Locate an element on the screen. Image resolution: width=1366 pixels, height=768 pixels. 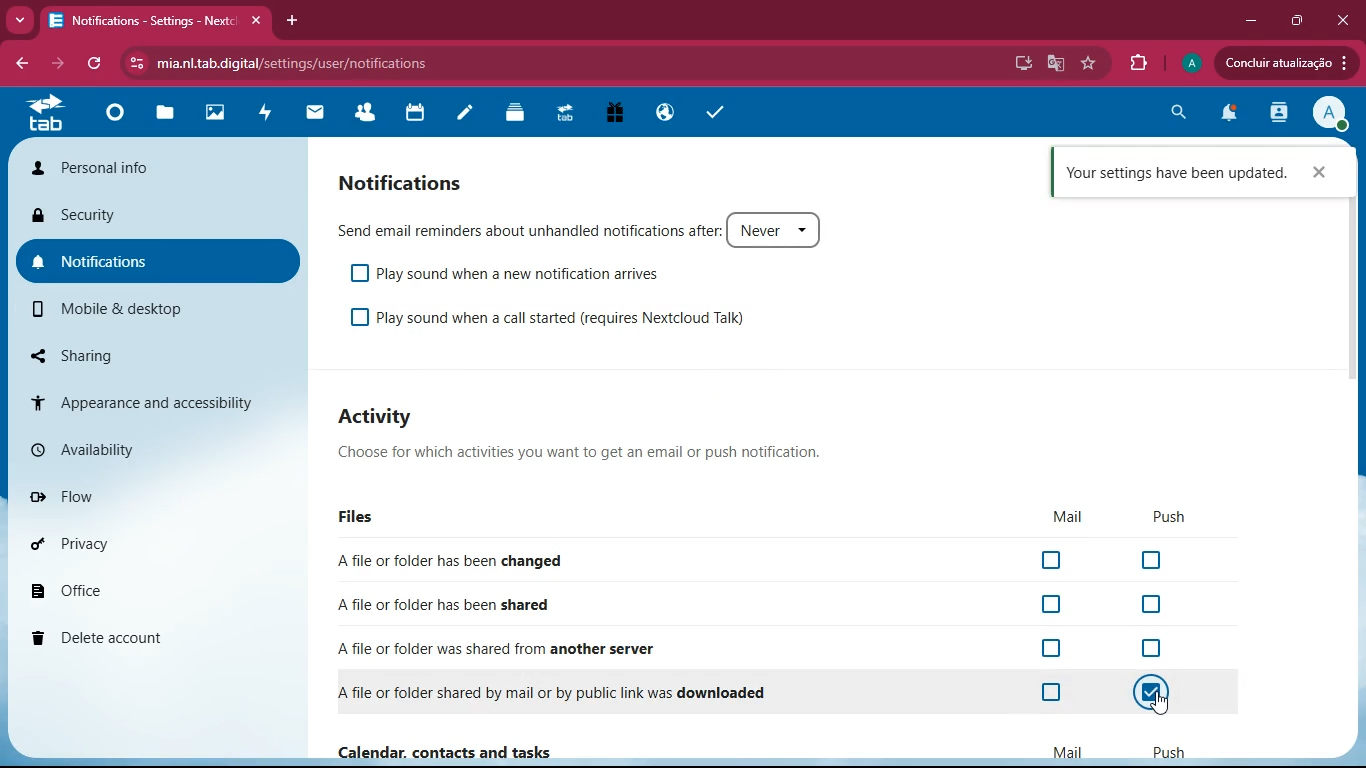
layers is located at coordinates (510, 115).